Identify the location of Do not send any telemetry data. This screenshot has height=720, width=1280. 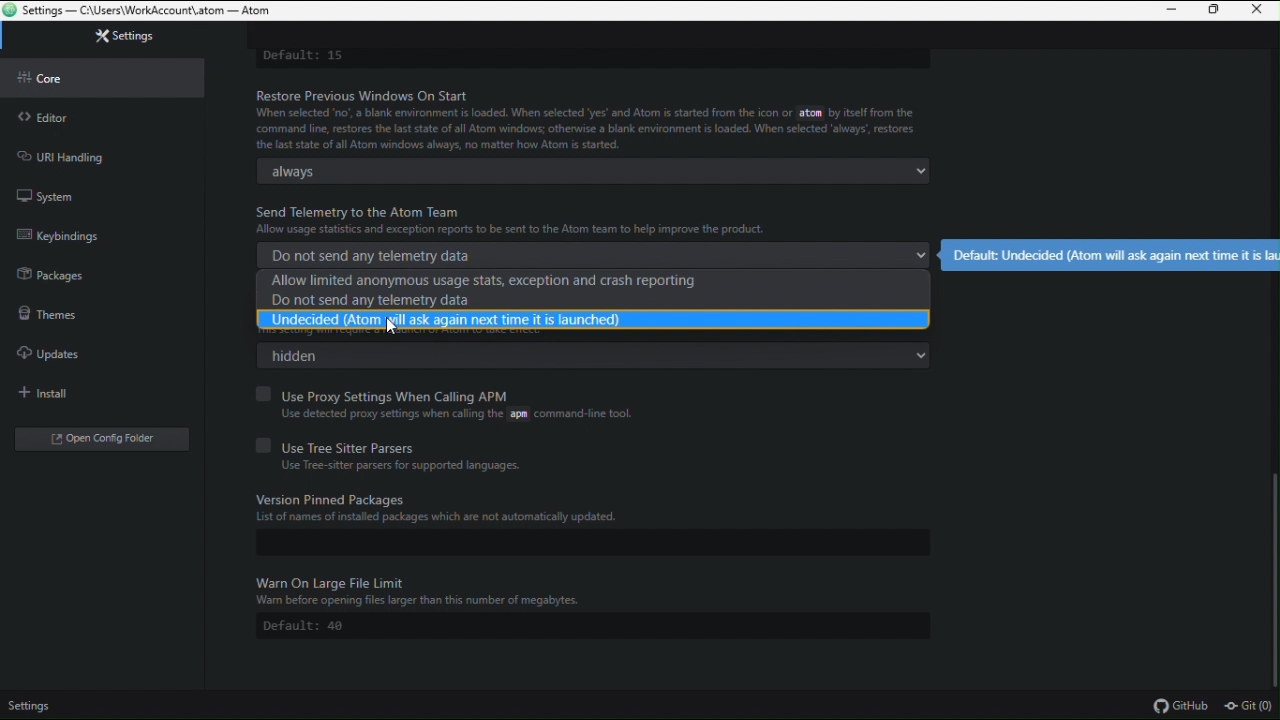
(595, 256).